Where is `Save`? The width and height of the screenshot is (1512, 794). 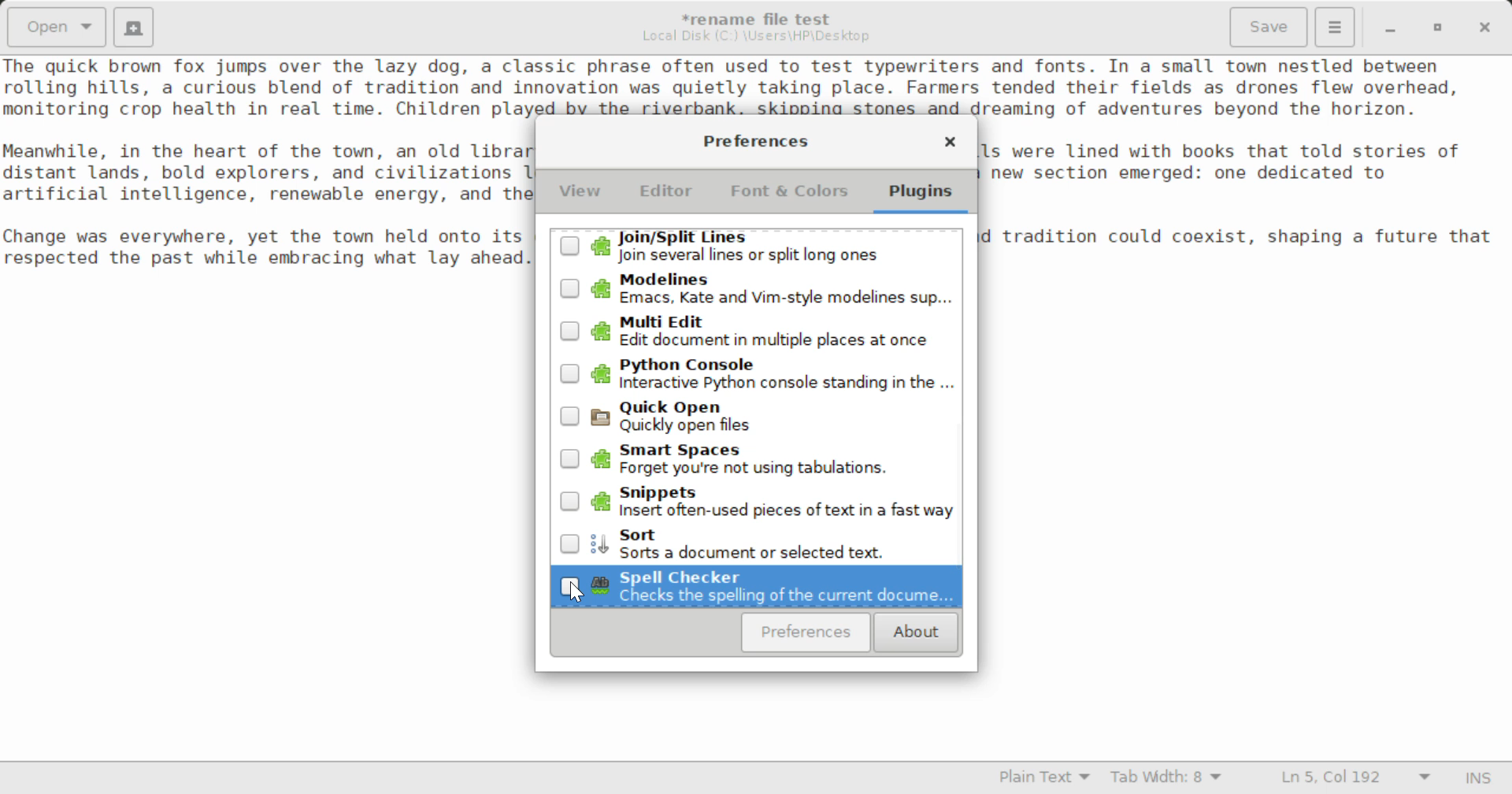 Save is located at coordinates (1270, 28).